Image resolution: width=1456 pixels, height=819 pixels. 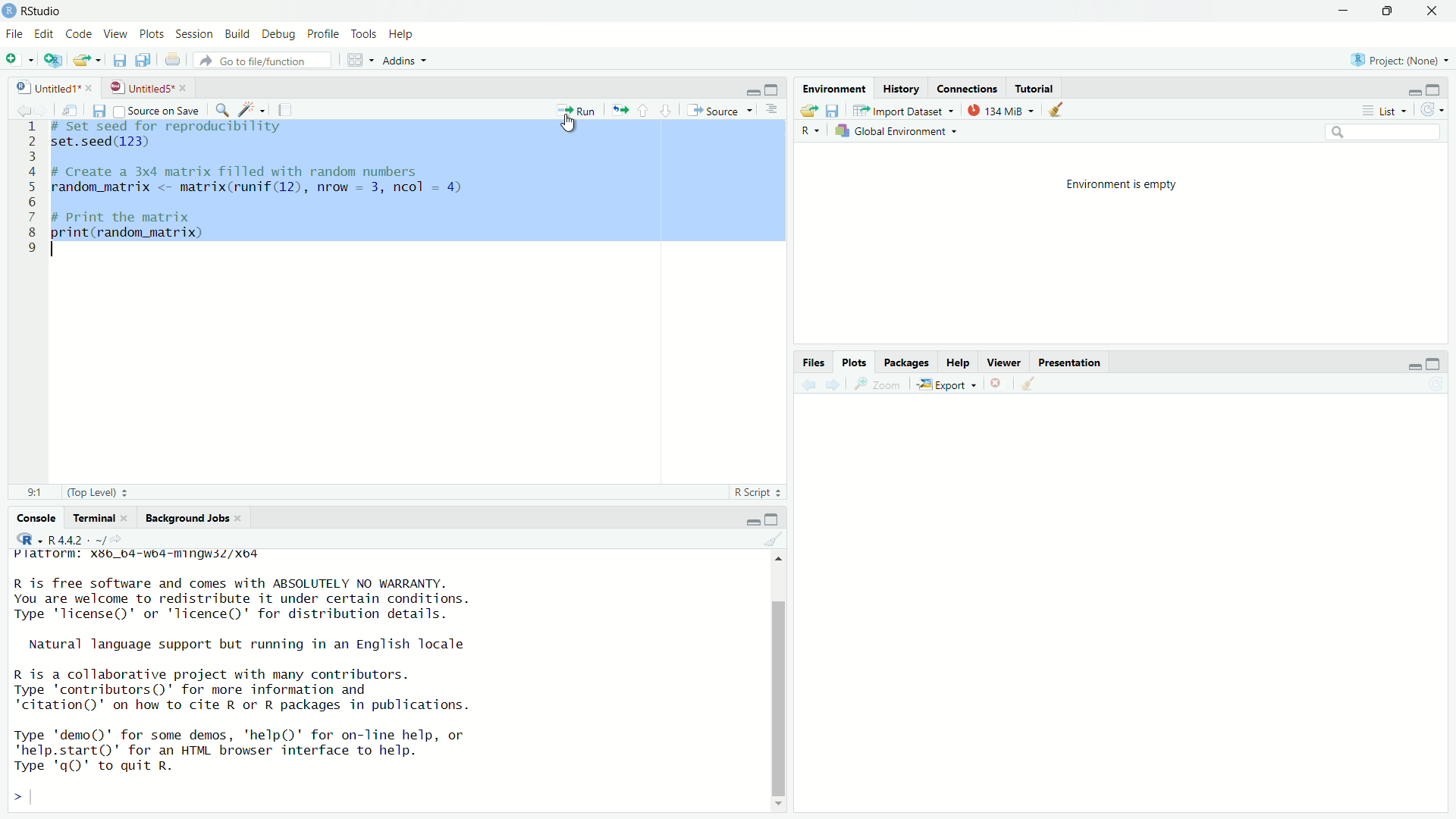 I want to click on Environment is empty, so click(x=1122, y=186).